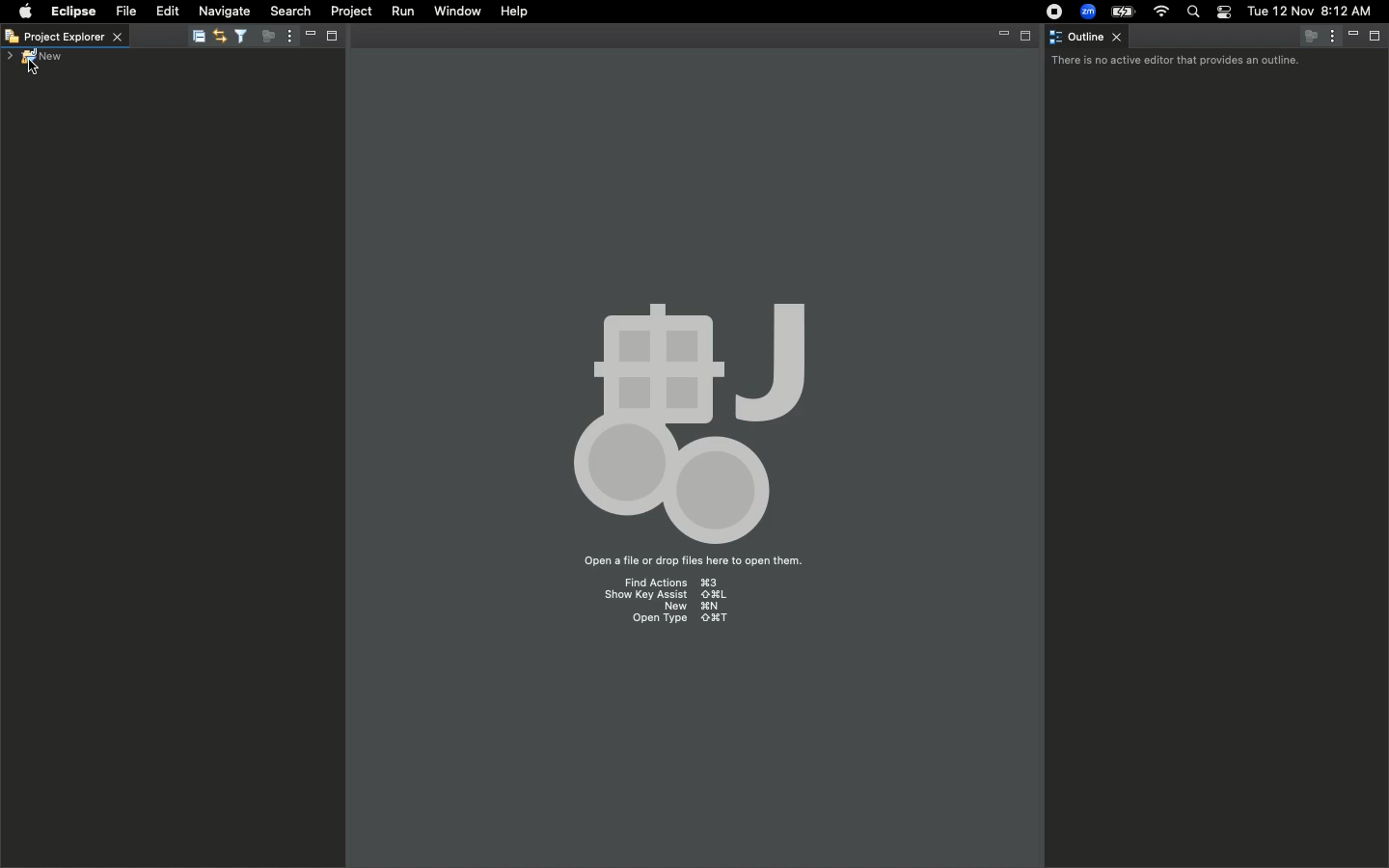  Describe the element at coordinates (165, 10) in the screenshot. I see `Edit` at that location.